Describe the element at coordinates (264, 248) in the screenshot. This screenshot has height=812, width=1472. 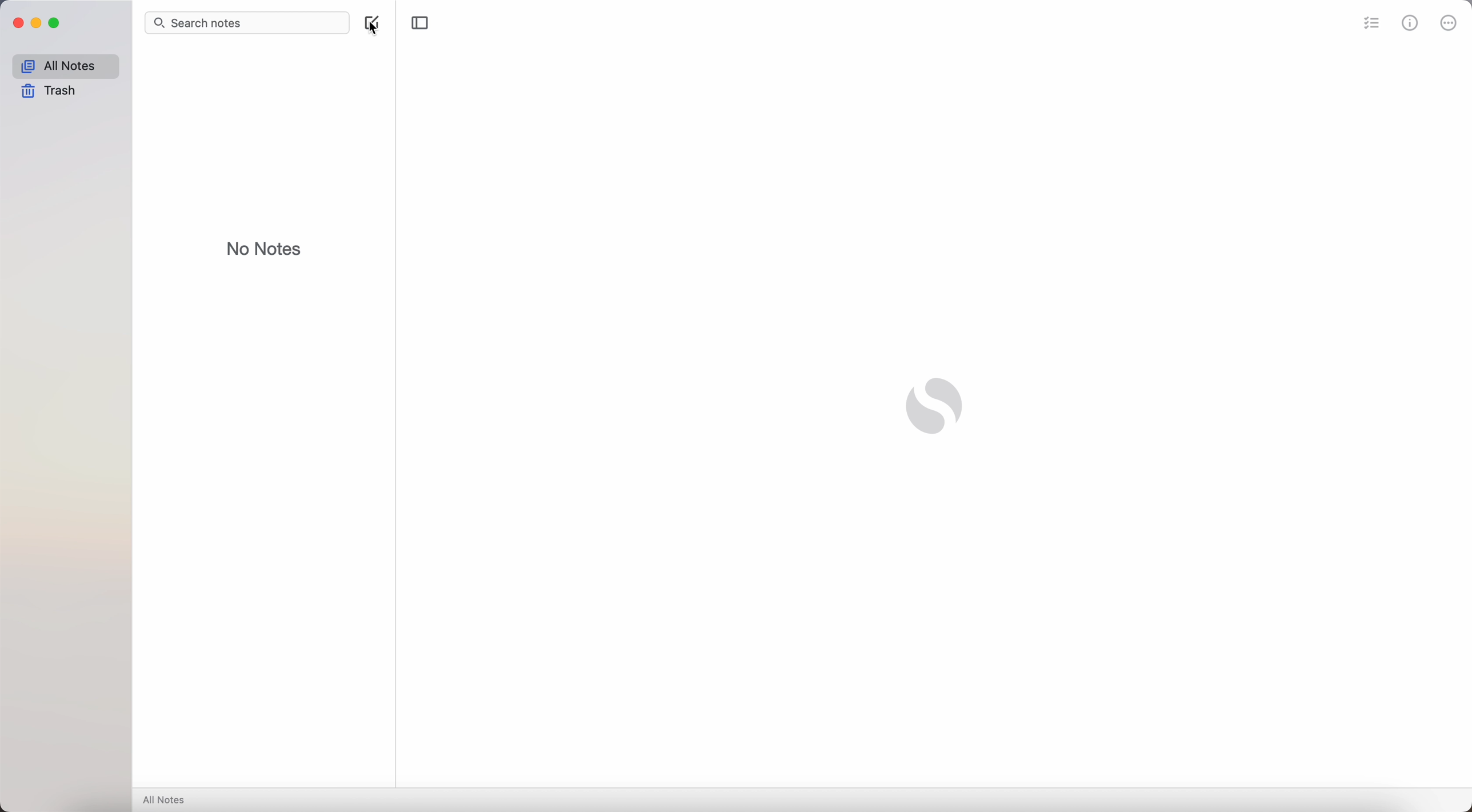
I see `no notes` at that location.